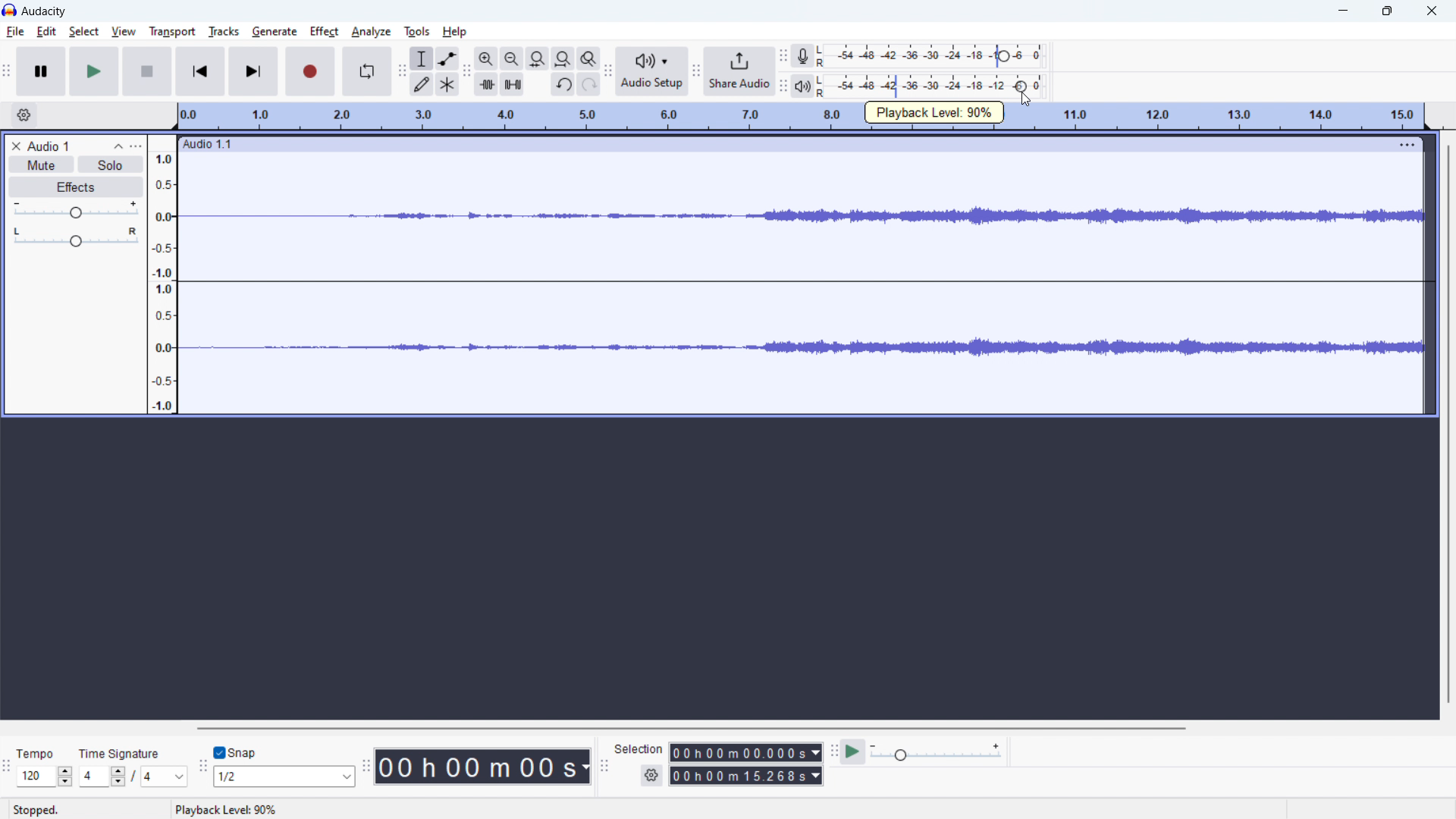 This screenshot has height=819, width=1456. I want to click on enable looping, so click(366, 72).